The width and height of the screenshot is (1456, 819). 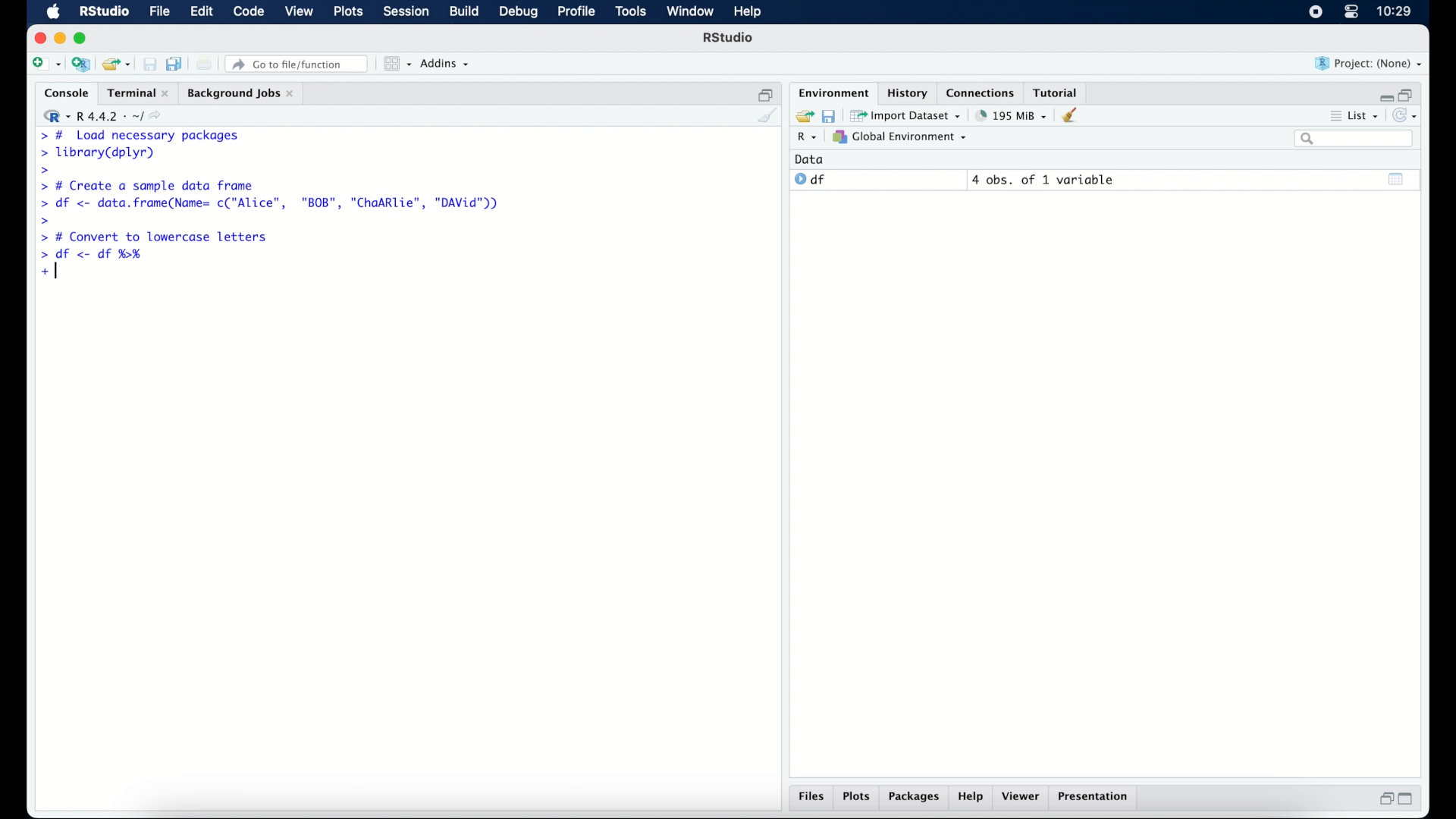 I want to click on restore down, so click(x=1409, y=93).